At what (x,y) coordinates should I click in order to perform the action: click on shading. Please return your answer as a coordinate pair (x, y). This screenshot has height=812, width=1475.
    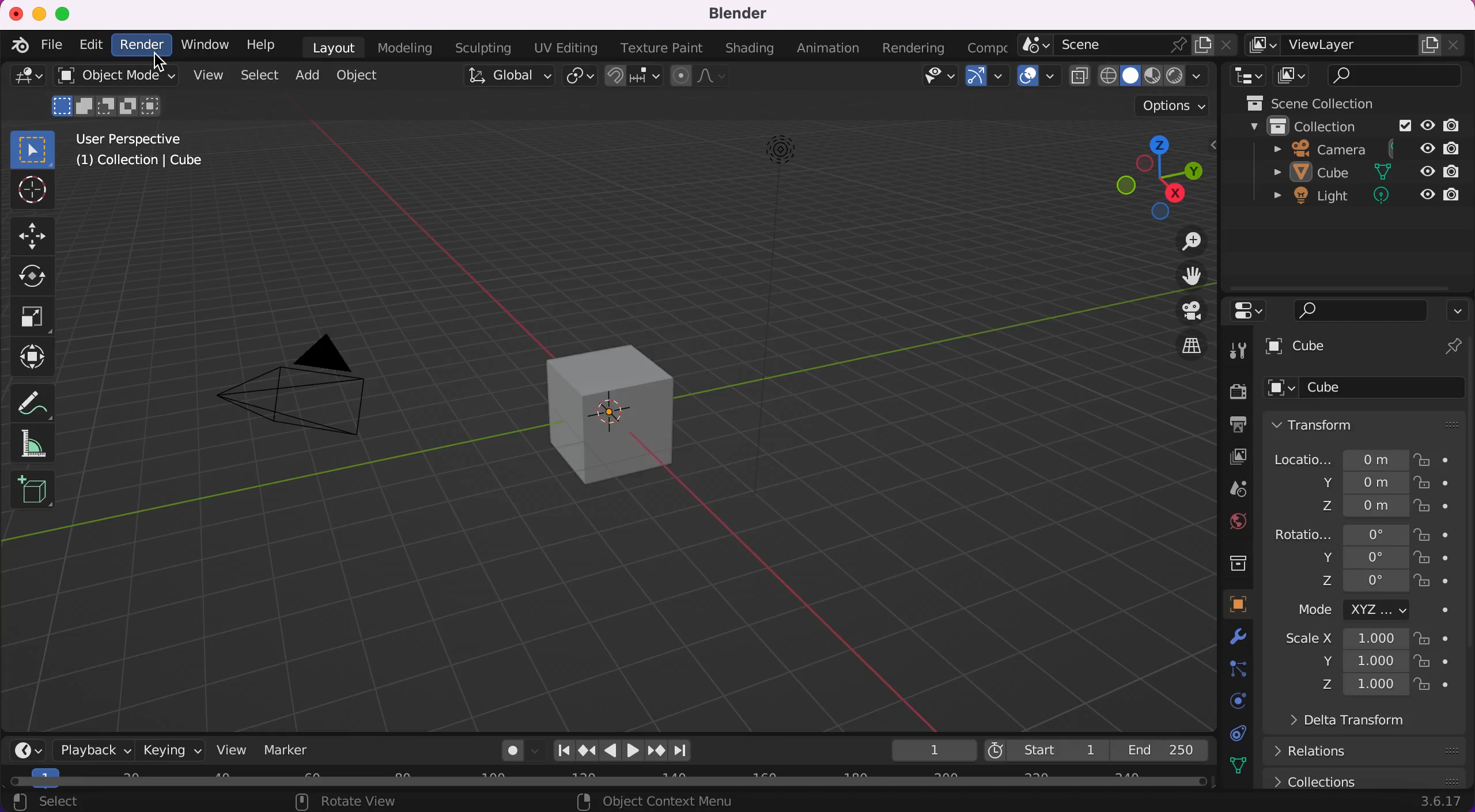
    Looking at the image, I should click on (750, 48).